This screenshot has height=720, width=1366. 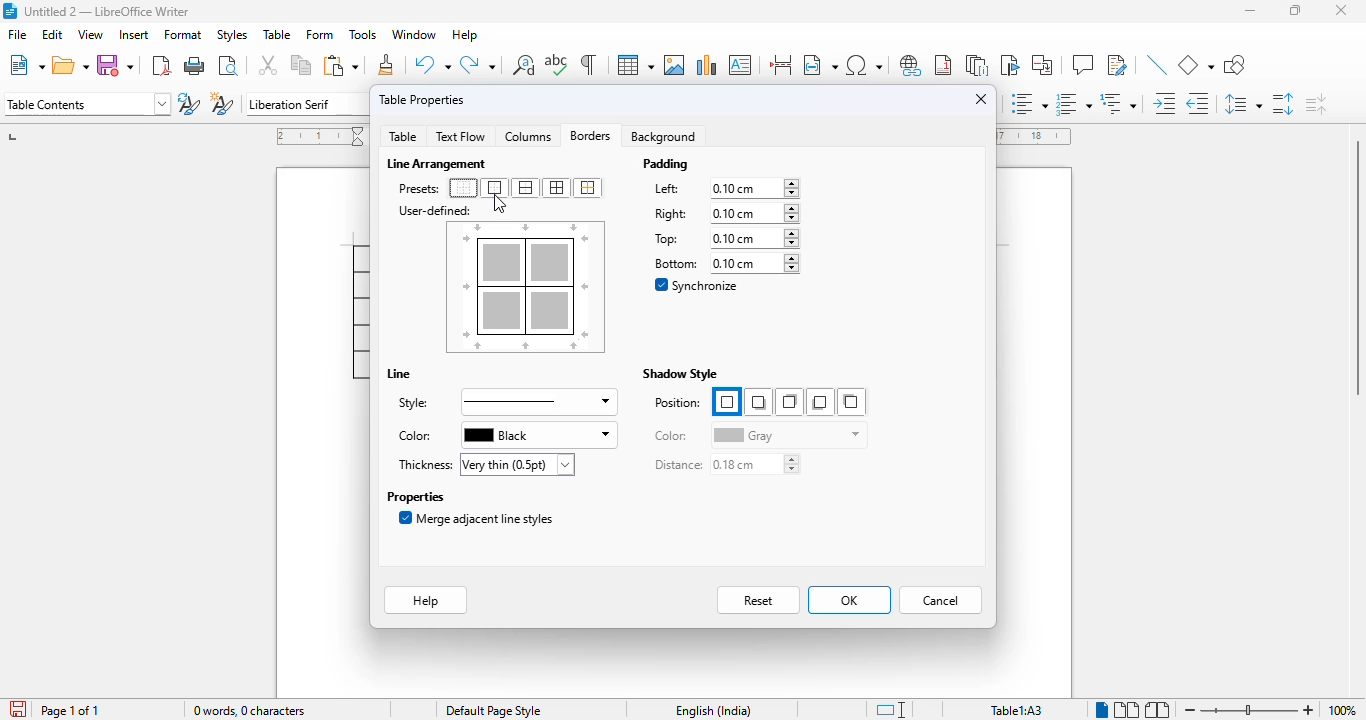 I want to click on left: 0.10 cm, so click(x=724, y=189).